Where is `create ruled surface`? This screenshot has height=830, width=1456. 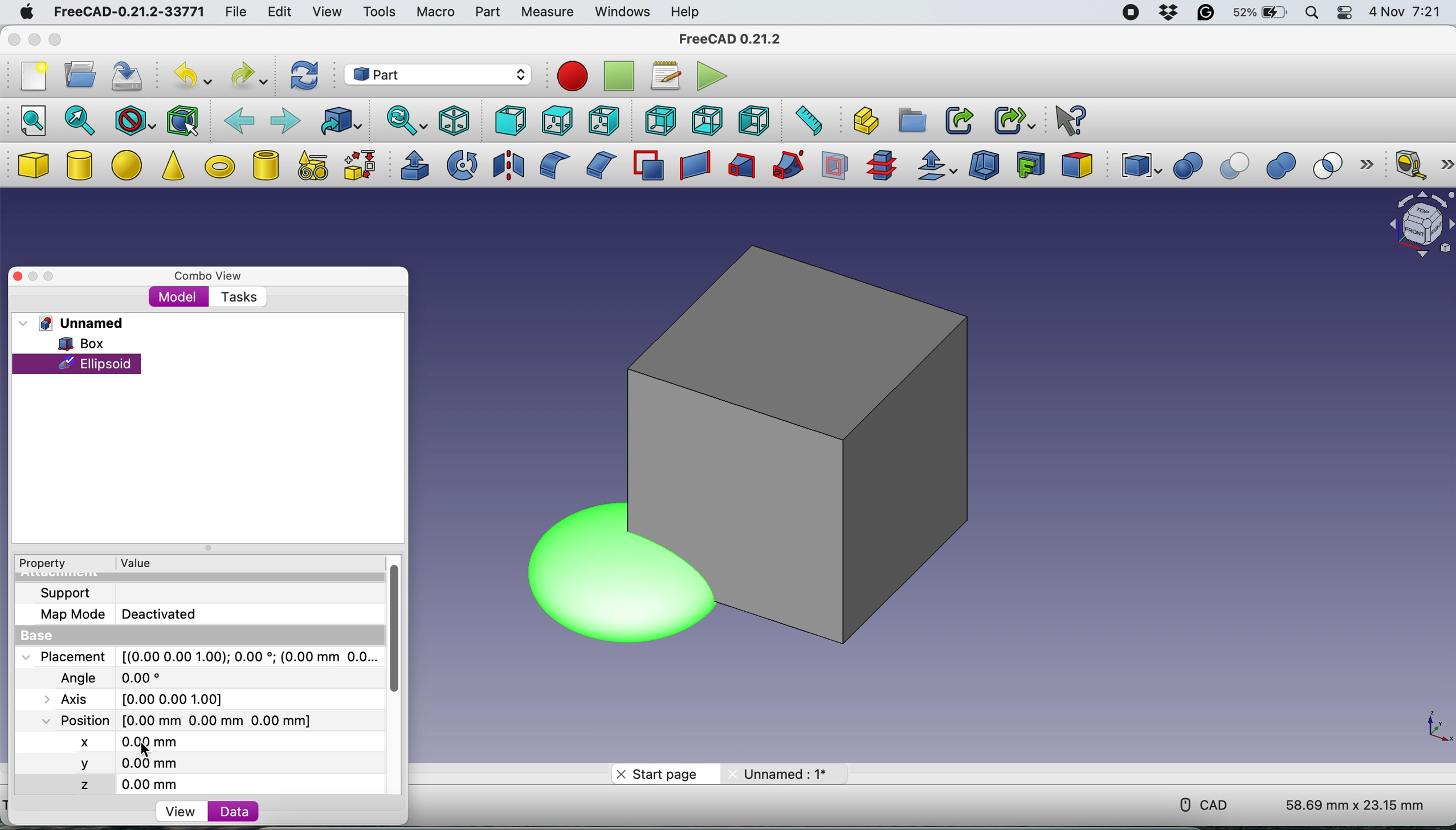 create ruled surface is located at coordinates (692, 166).